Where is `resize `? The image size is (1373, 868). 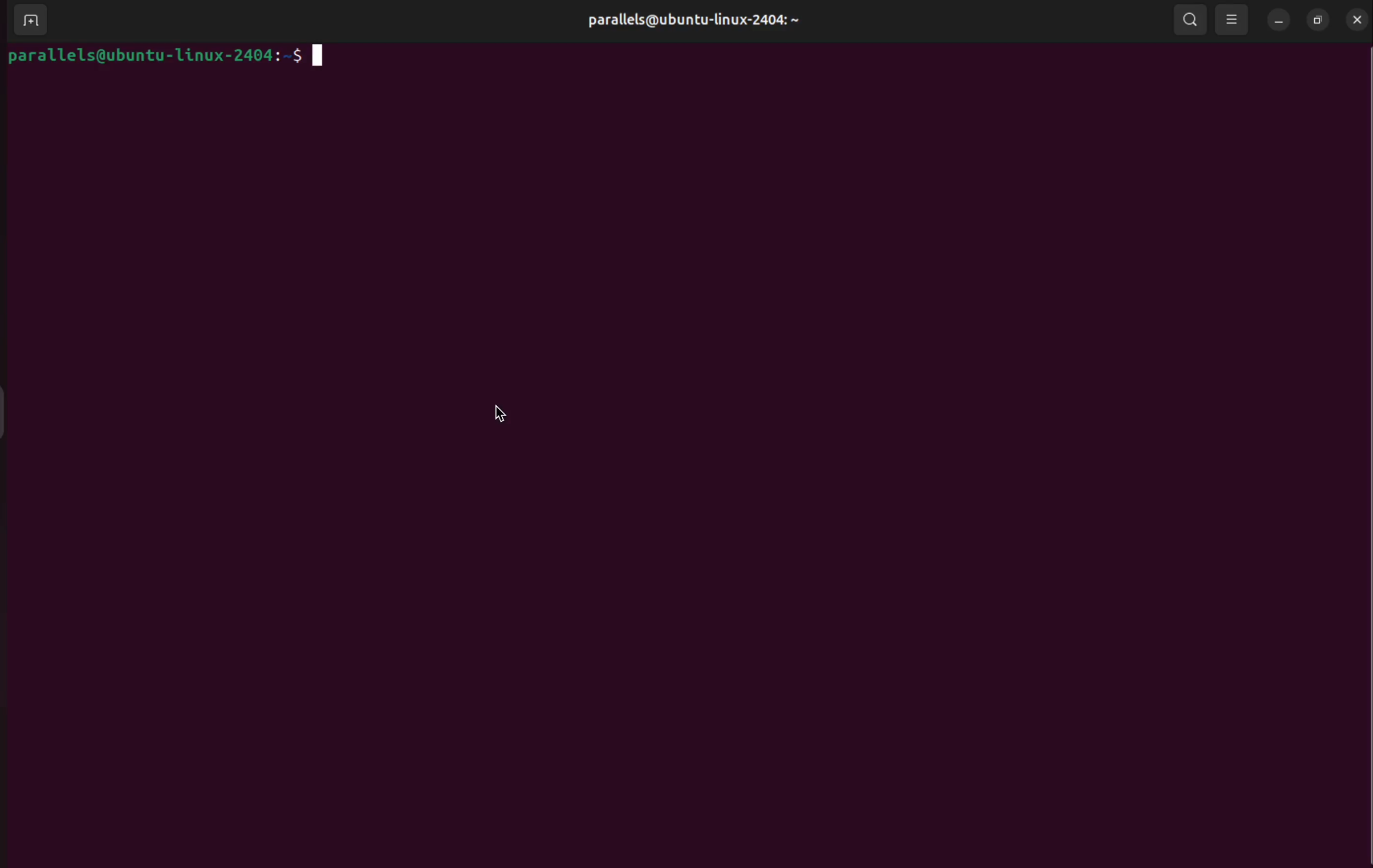 resize  is located at coordinates (1317, 22).